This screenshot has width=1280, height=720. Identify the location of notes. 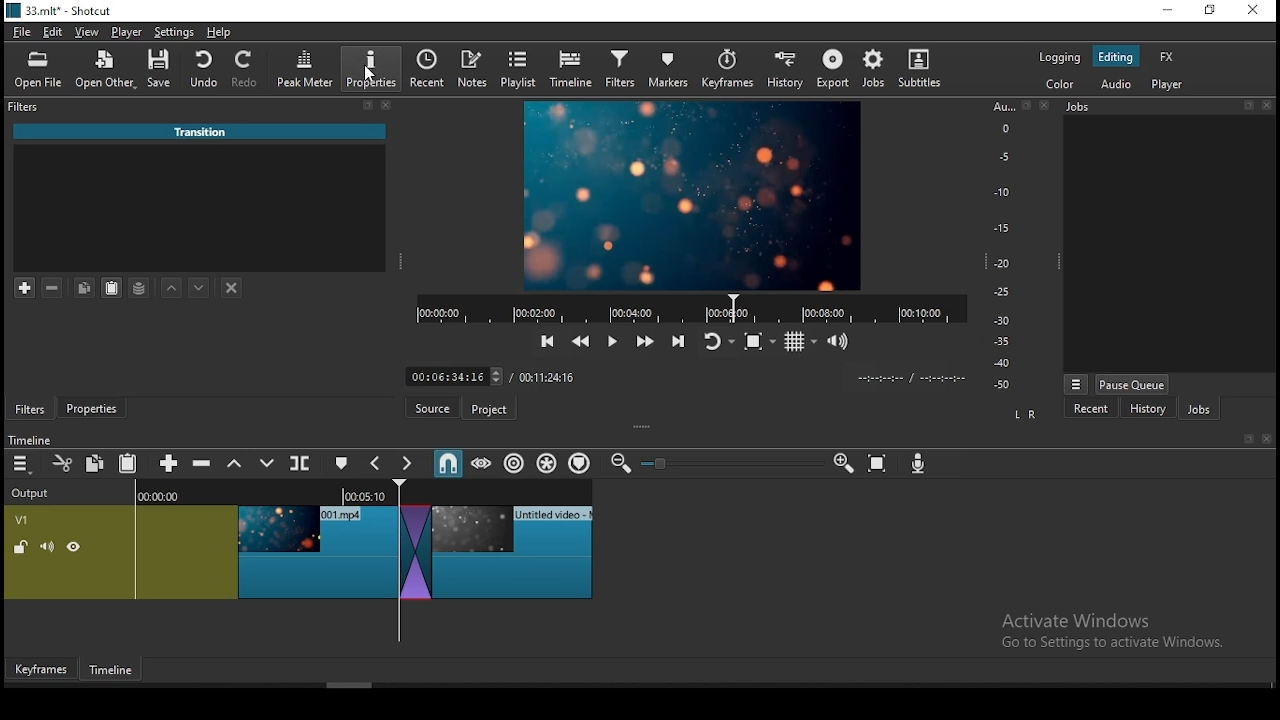
(475, 69).